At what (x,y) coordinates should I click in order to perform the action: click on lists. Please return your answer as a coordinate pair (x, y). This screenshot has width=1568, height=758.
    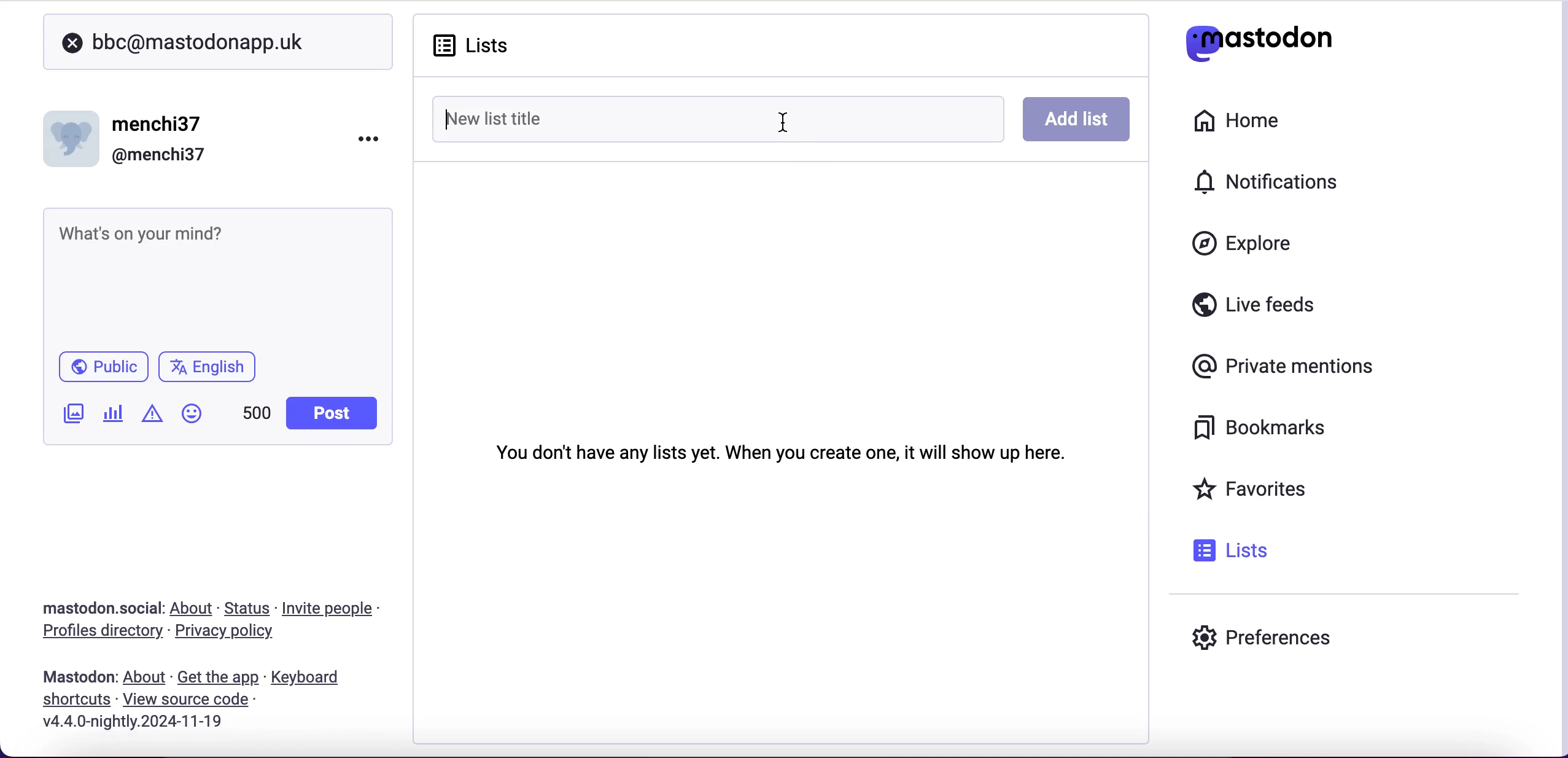
    Looking at the image, I should click on (484, 45).